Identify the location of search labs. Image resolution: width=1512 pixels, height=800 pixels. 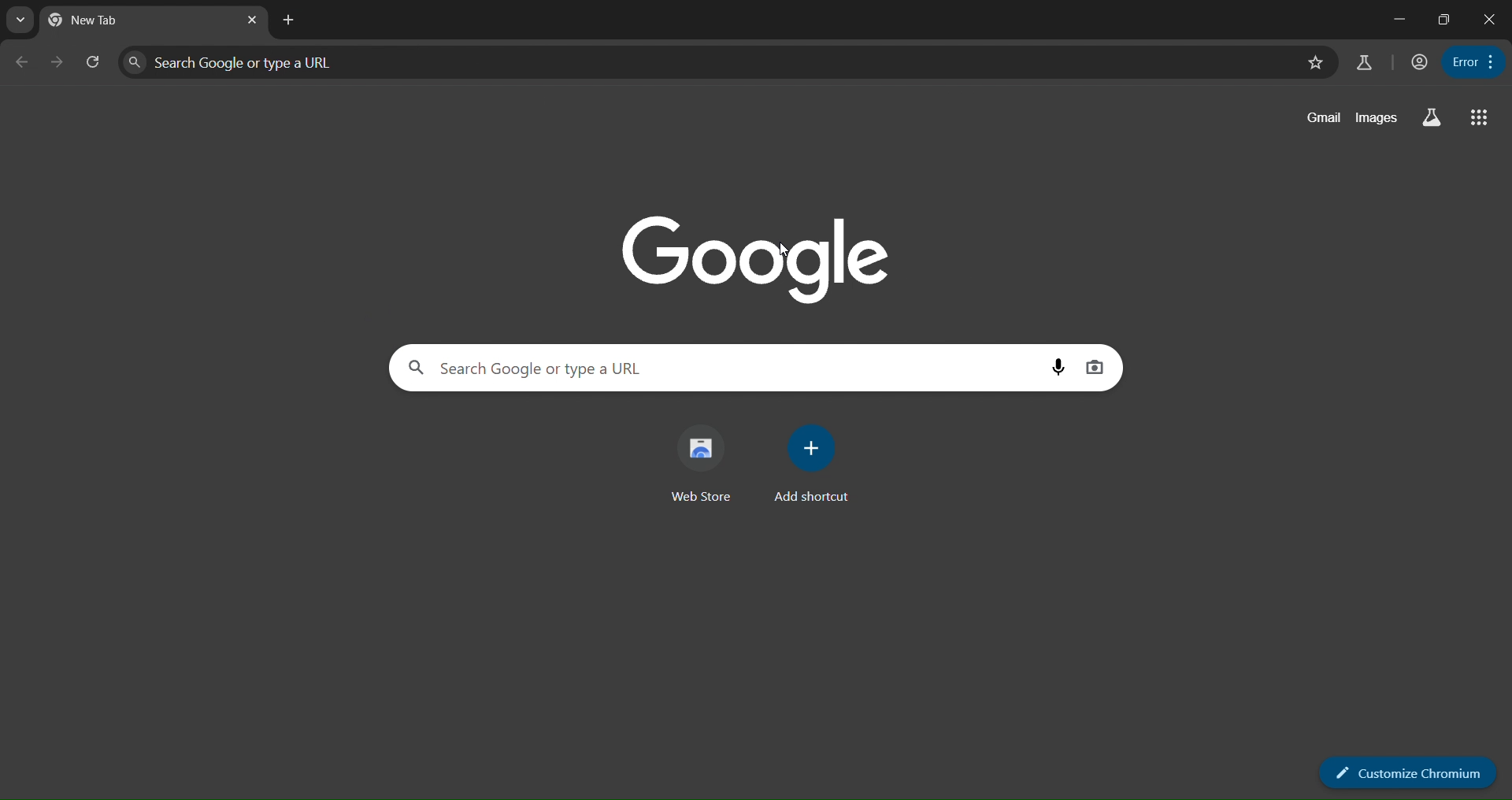
(1364, 62).